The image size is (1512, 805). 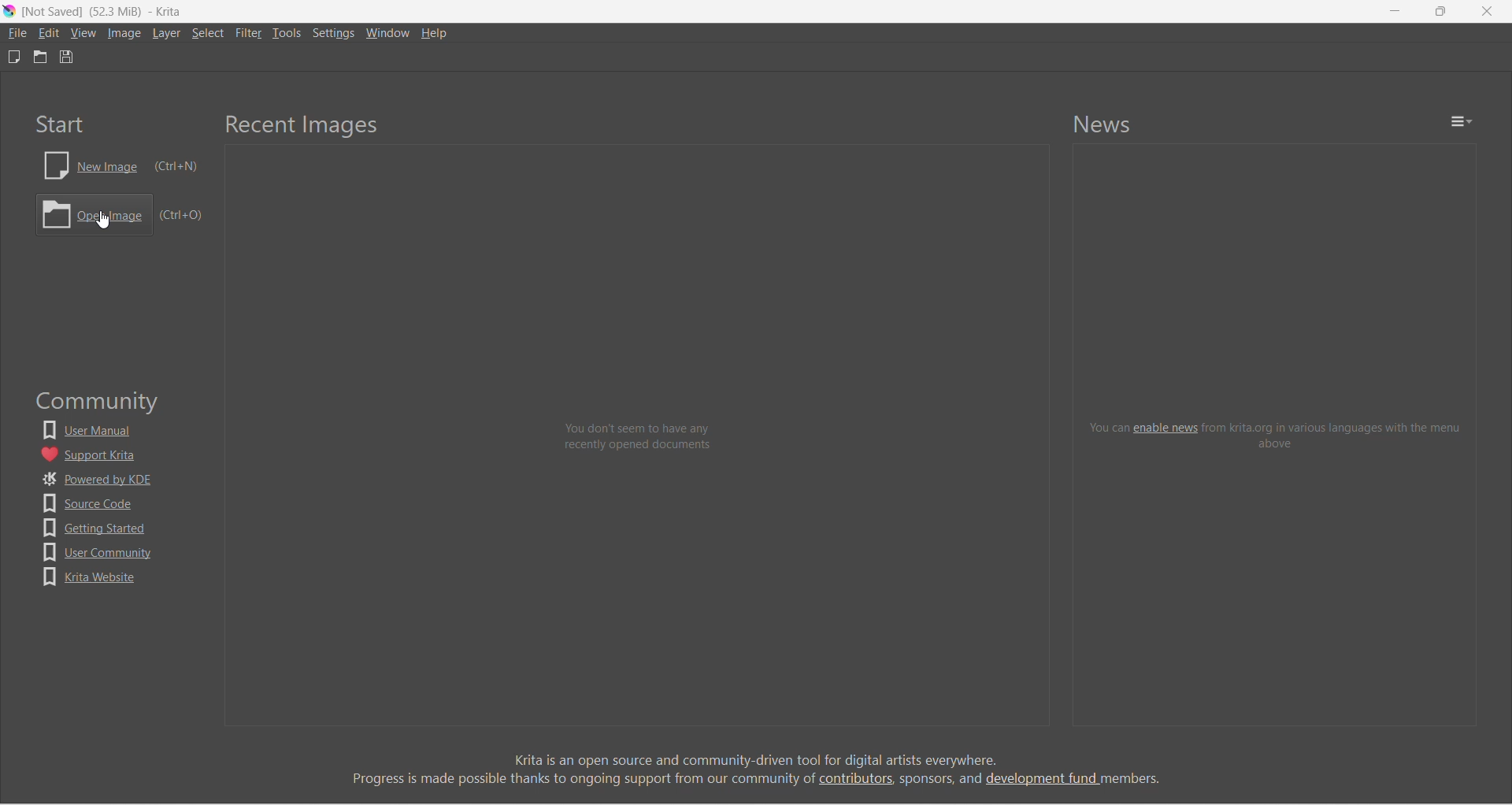 I want to click on community, so click(x=101, y=402).